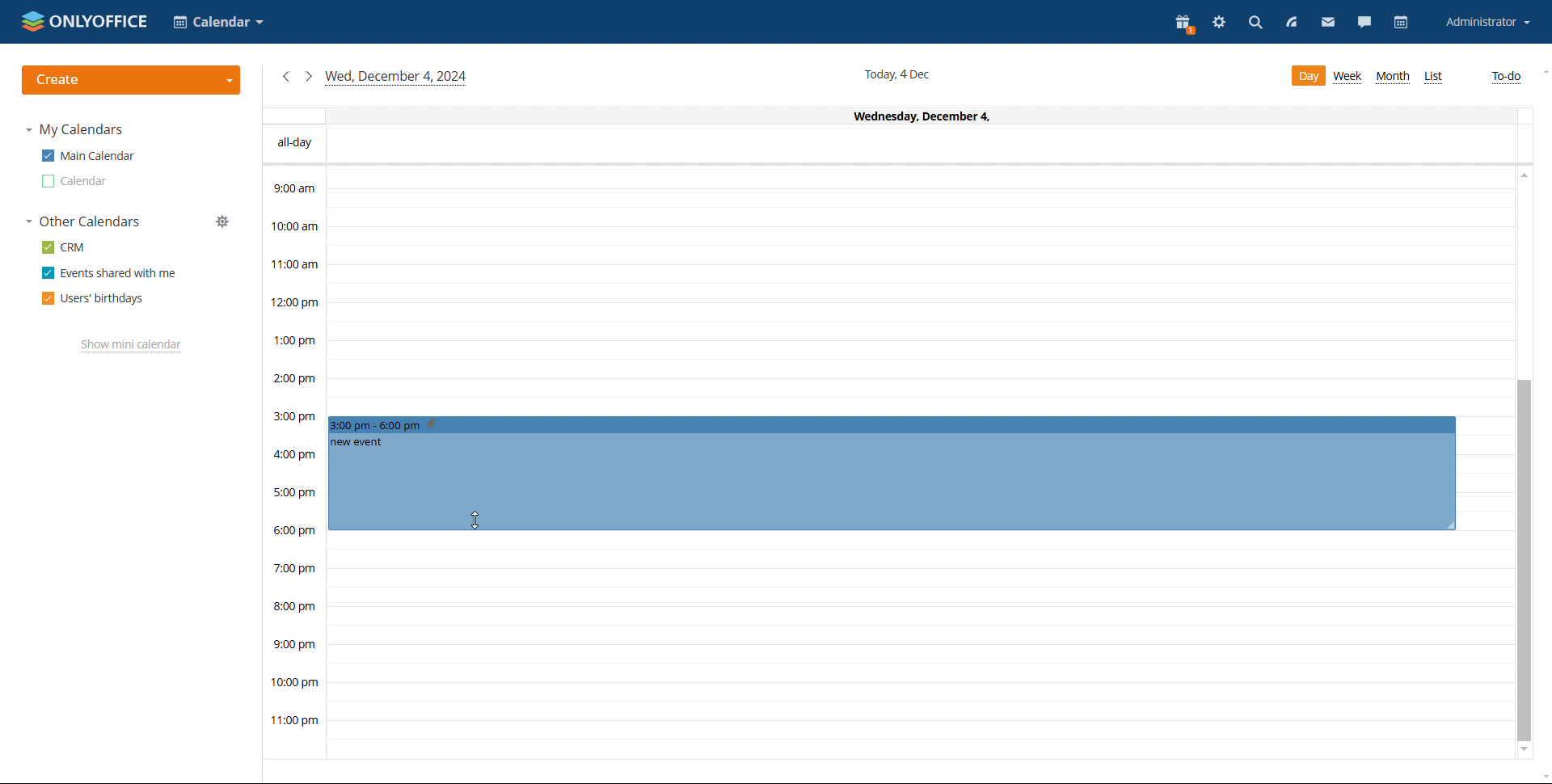  I want to click on all-day events, so click(889, 145).